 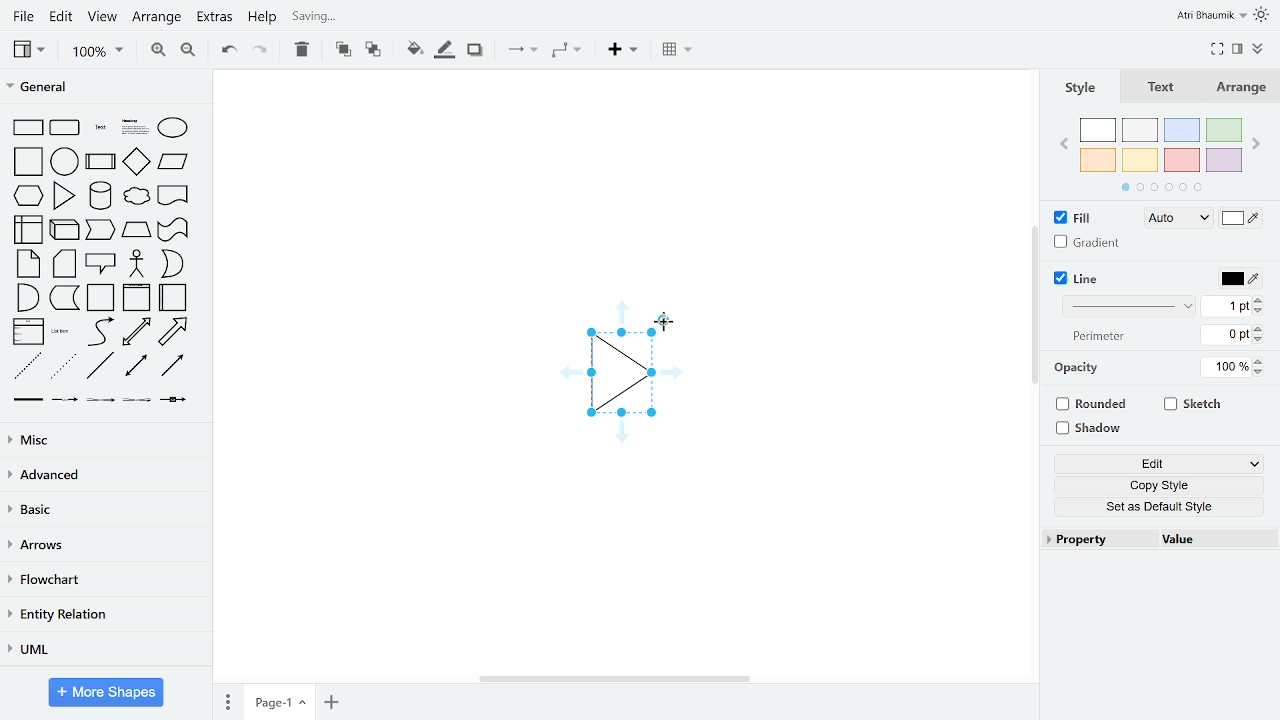 What do you see at coordinates (101, 402) in the screenshot?
I see `connector with 2 label` at bounding box center [101, 402].